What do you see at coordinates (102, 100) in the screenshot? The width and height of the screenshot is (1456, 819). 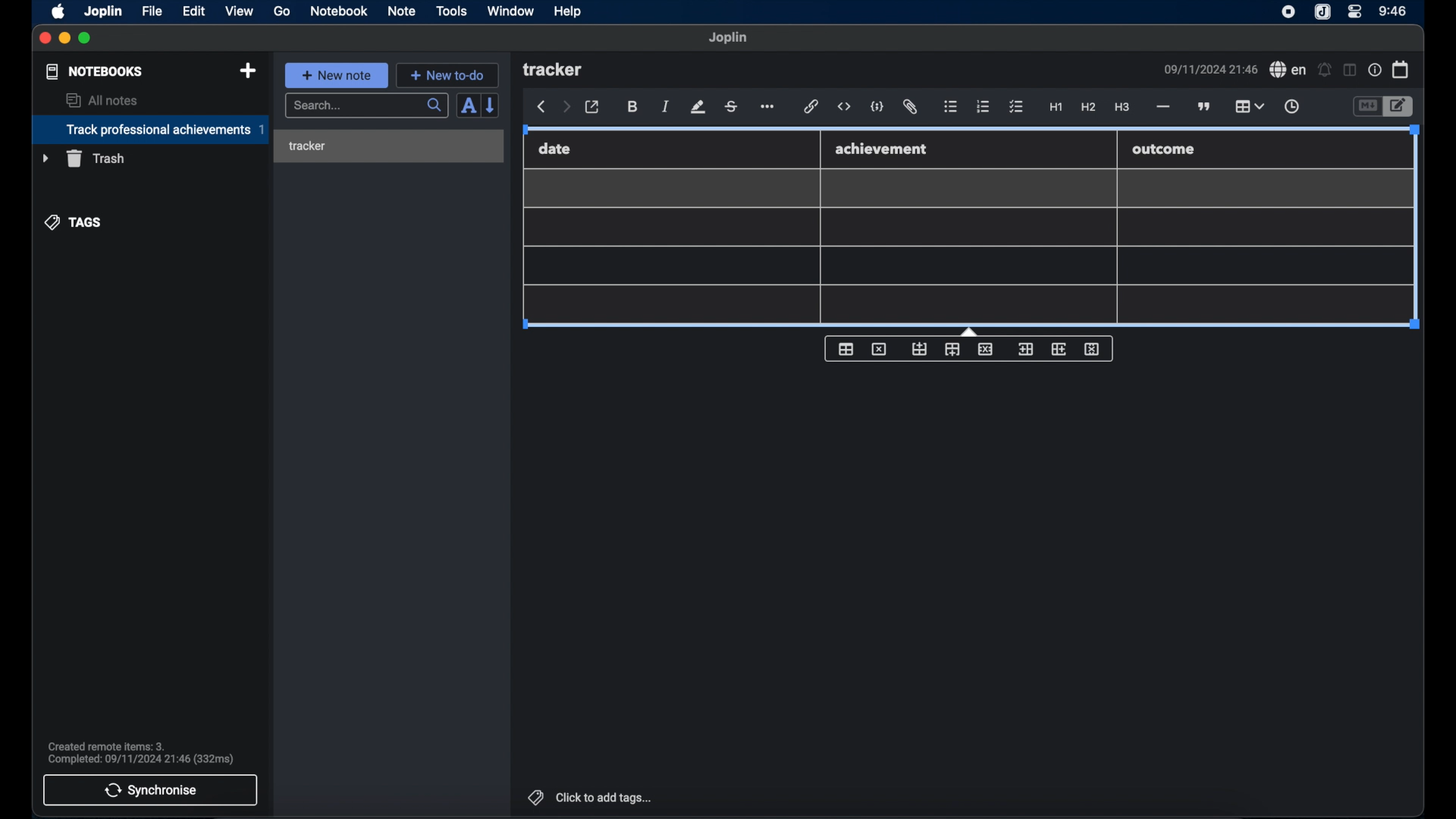 I see `all  notes` at bounding box center [102, 100].